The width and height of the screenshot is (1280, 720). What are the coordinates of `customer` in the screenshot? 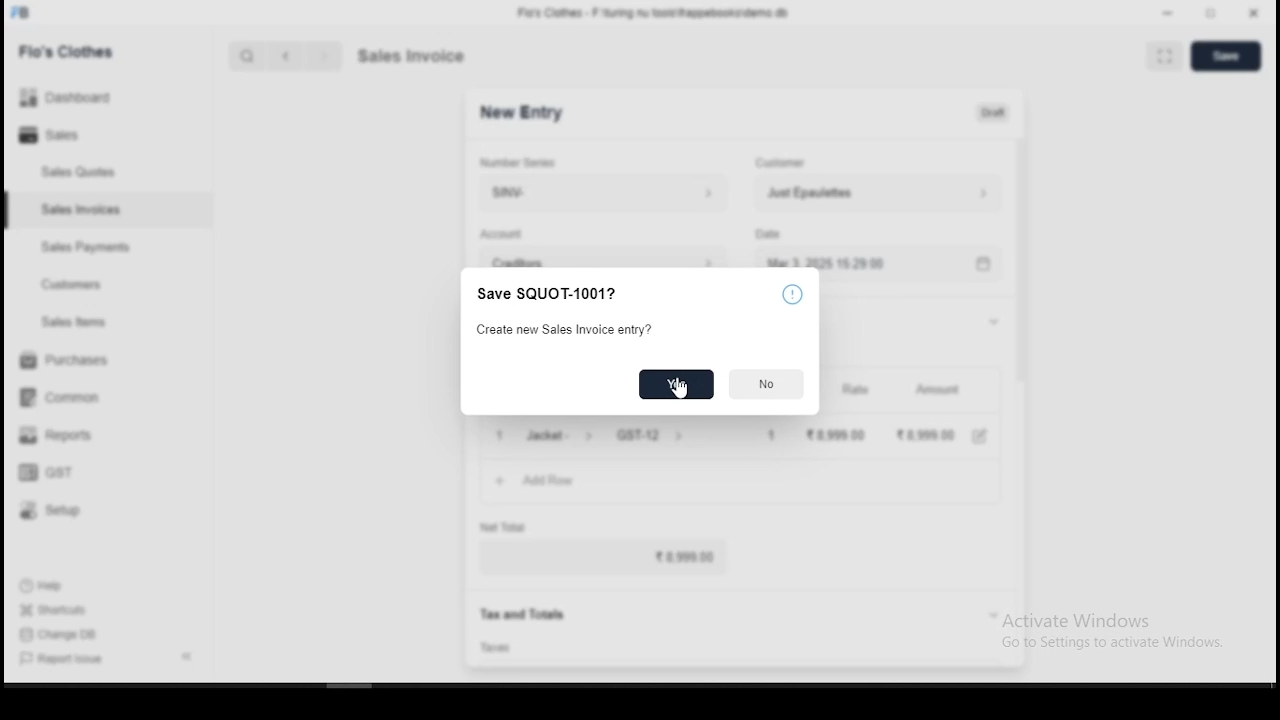 It's located at (787, 158).